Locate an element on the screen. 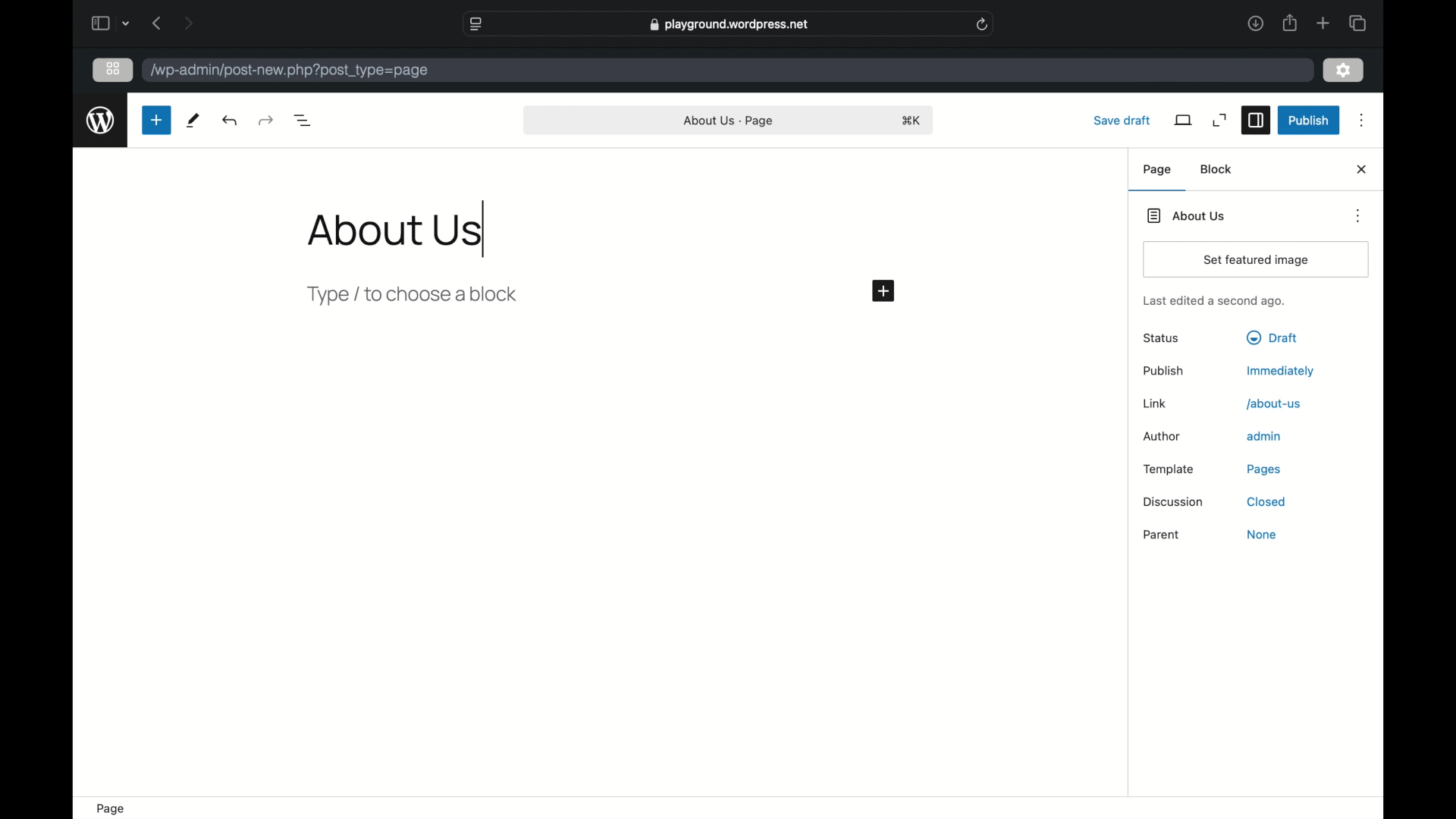 The height and width of the screenshot is (819, 1456). next page is located at coordinates (189, 24).